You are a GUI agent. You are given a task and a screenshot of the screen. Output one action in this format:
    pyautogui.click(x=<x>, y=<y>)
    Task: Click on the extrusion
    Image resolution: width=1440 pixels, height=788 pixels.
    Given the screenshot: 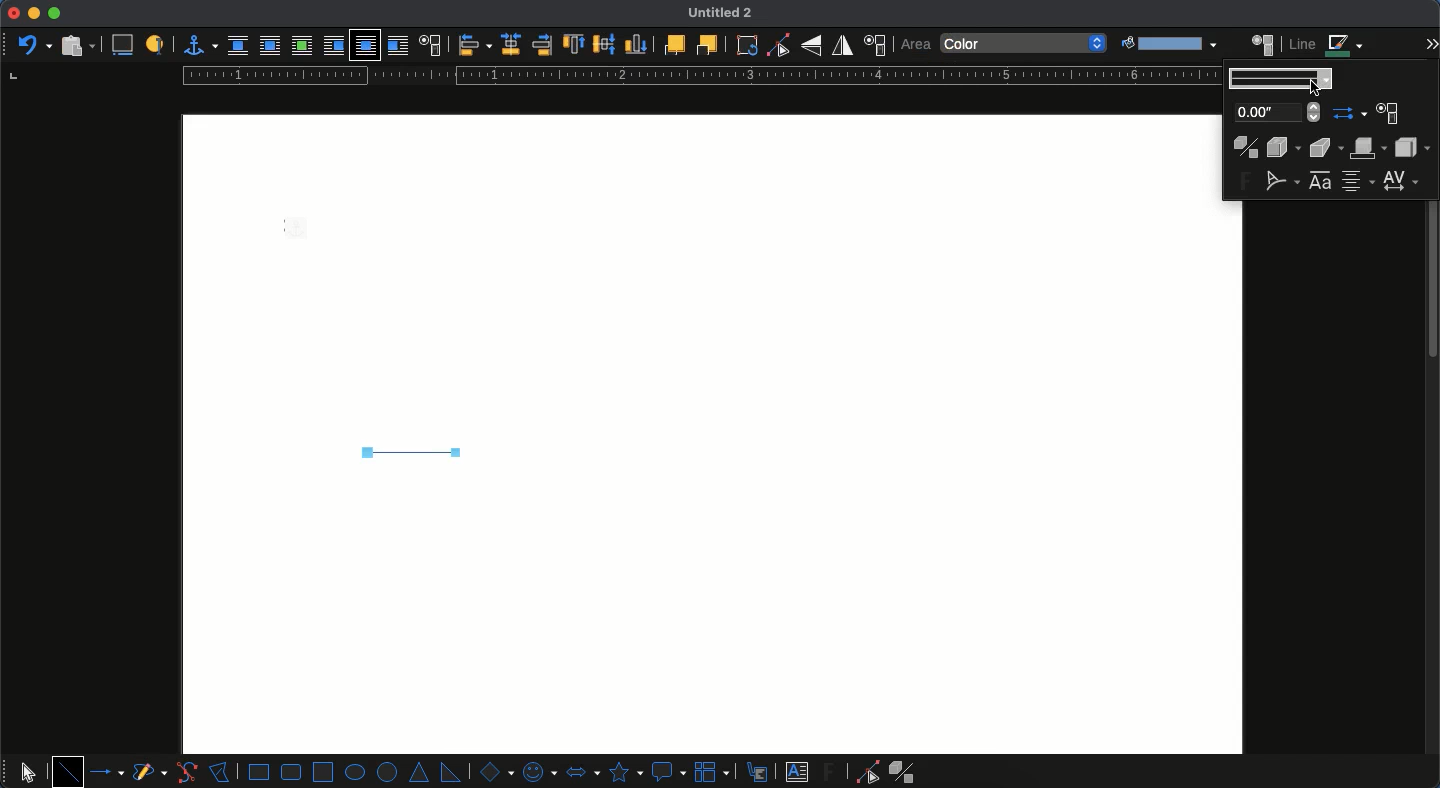 What is the action you would take?
    pyautogui.click(x=906, y=772)
    